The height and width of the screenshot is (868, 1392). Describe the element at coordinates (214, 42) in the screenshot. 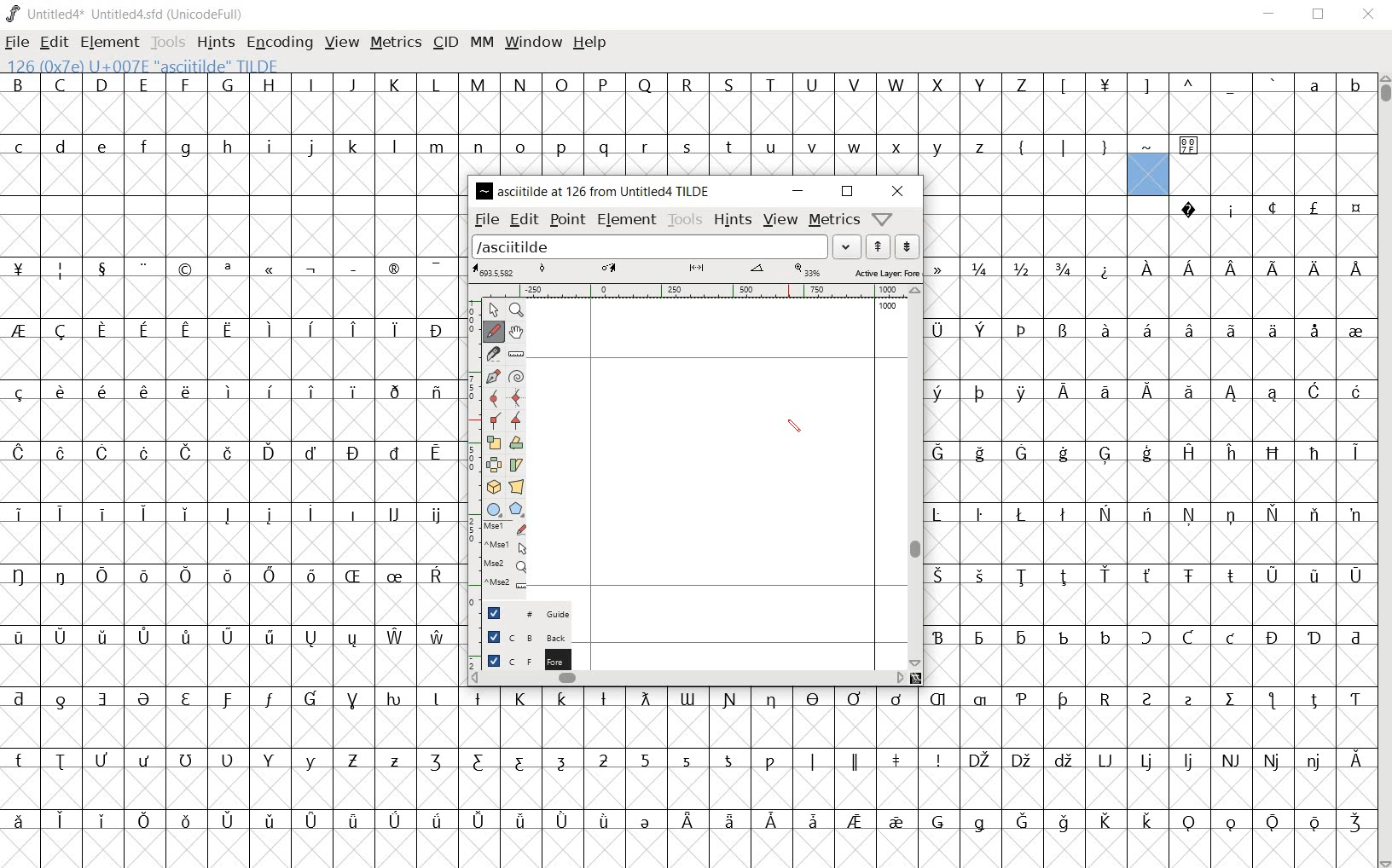

I see `HINTS` at that location.